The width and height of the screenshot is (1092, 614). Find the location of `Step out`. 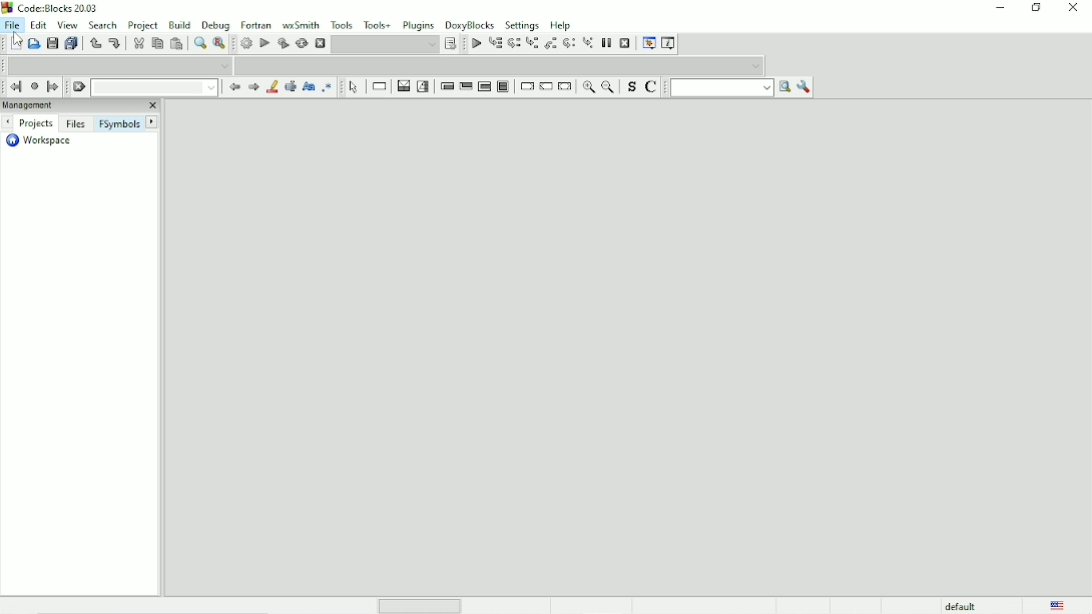

Step out is located at coordinates (550, 43).